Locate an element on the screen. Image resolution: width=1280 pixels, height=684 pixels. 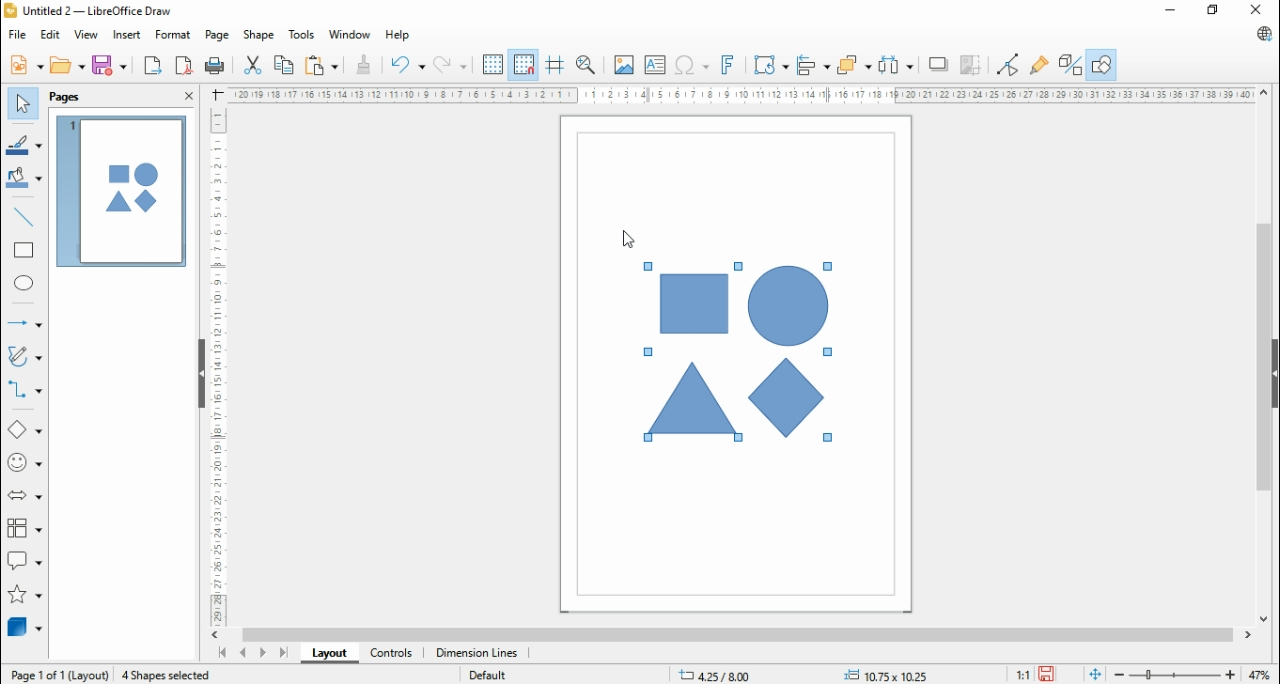
ellipse is located at coordinates (26, 285).